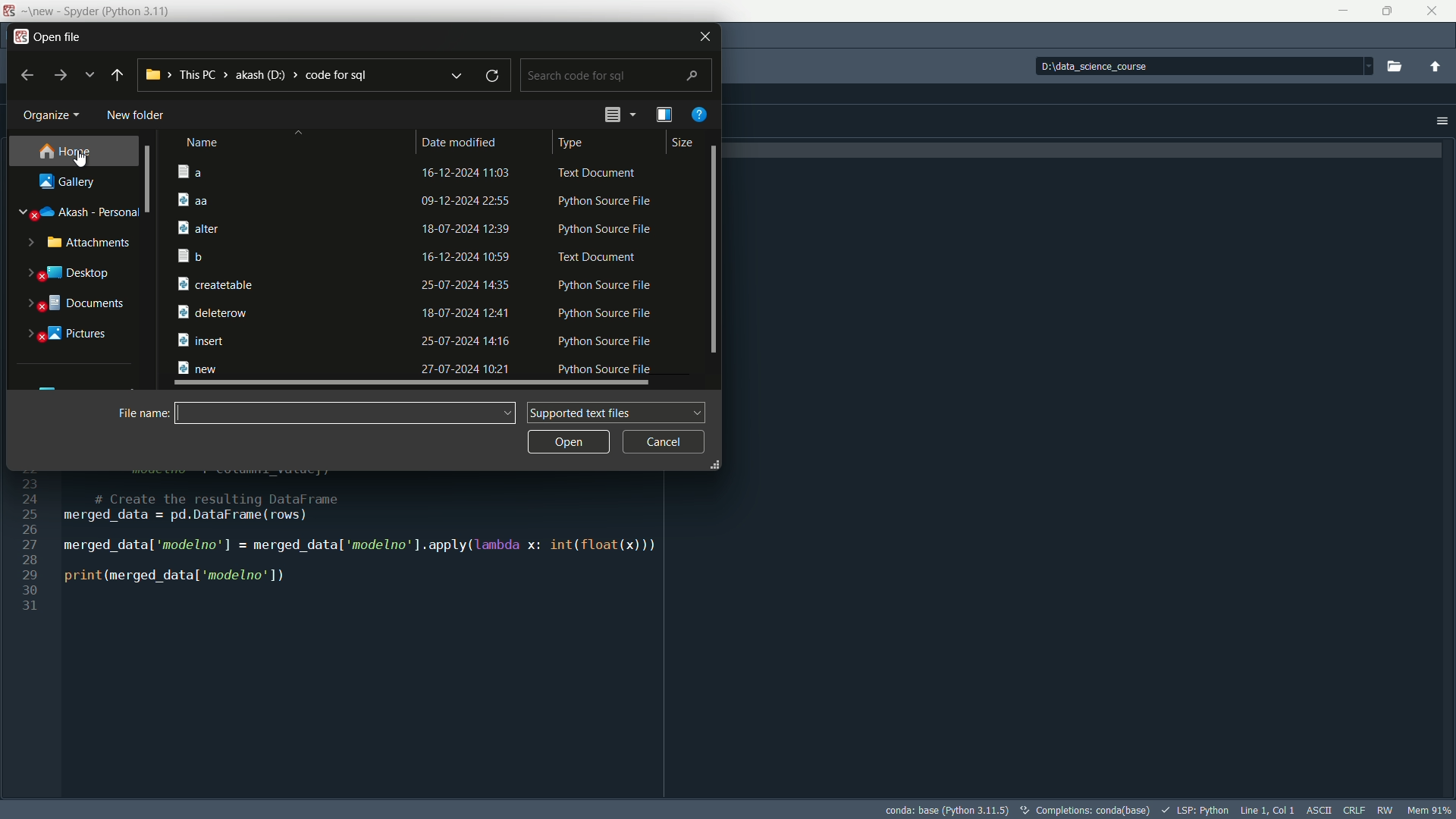 This screenshot has height=819, width=1456. What do you see at coordinates (566, 441) in the screenshot?
I see `open` at bounding box center [566, 441].